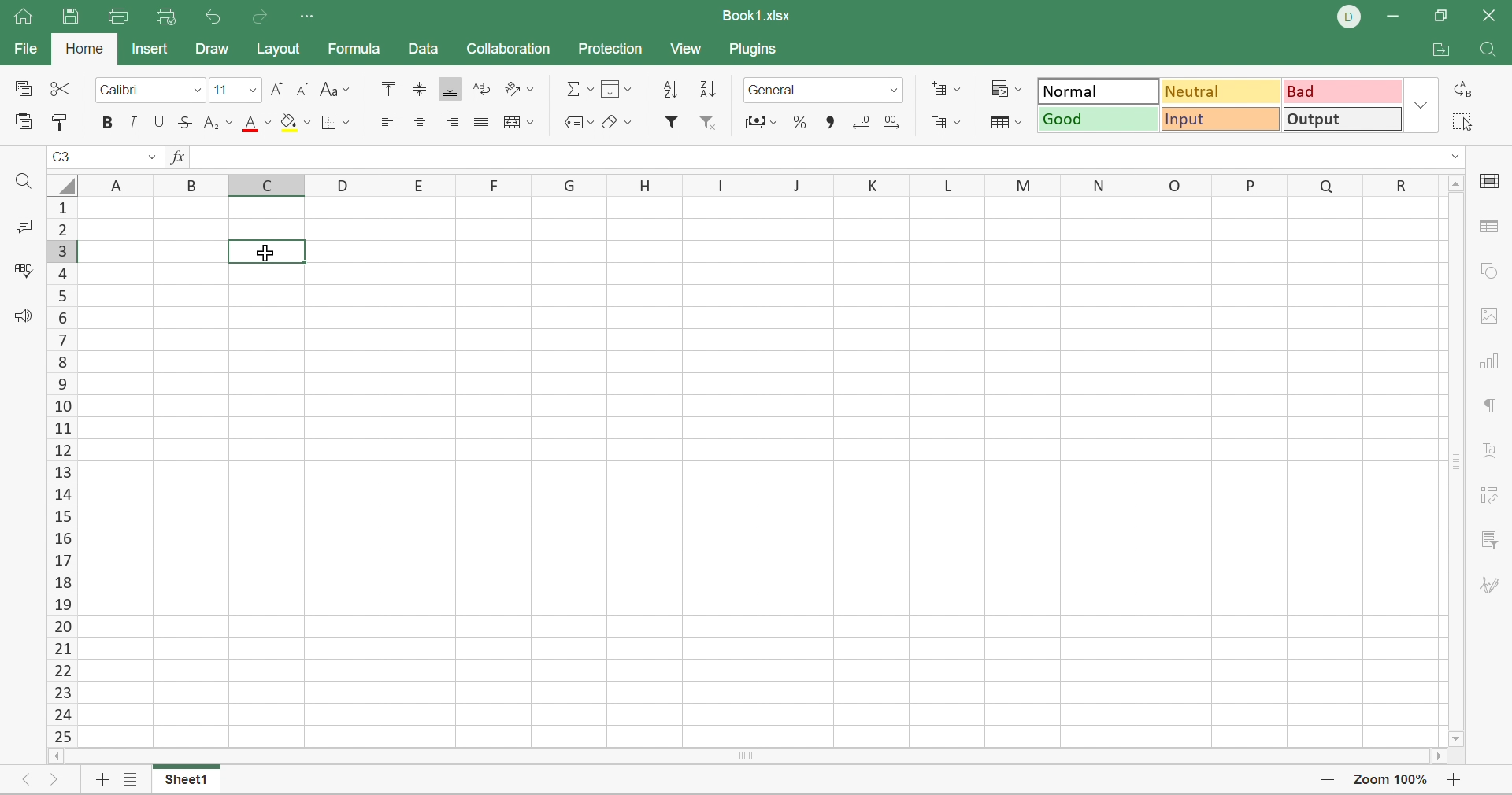 Image resolution: width=1512 pixels, height=795 pixels. Describe the element at coordinates (1329, 780) in the screenshot. I see `Zoom Out` at that location.